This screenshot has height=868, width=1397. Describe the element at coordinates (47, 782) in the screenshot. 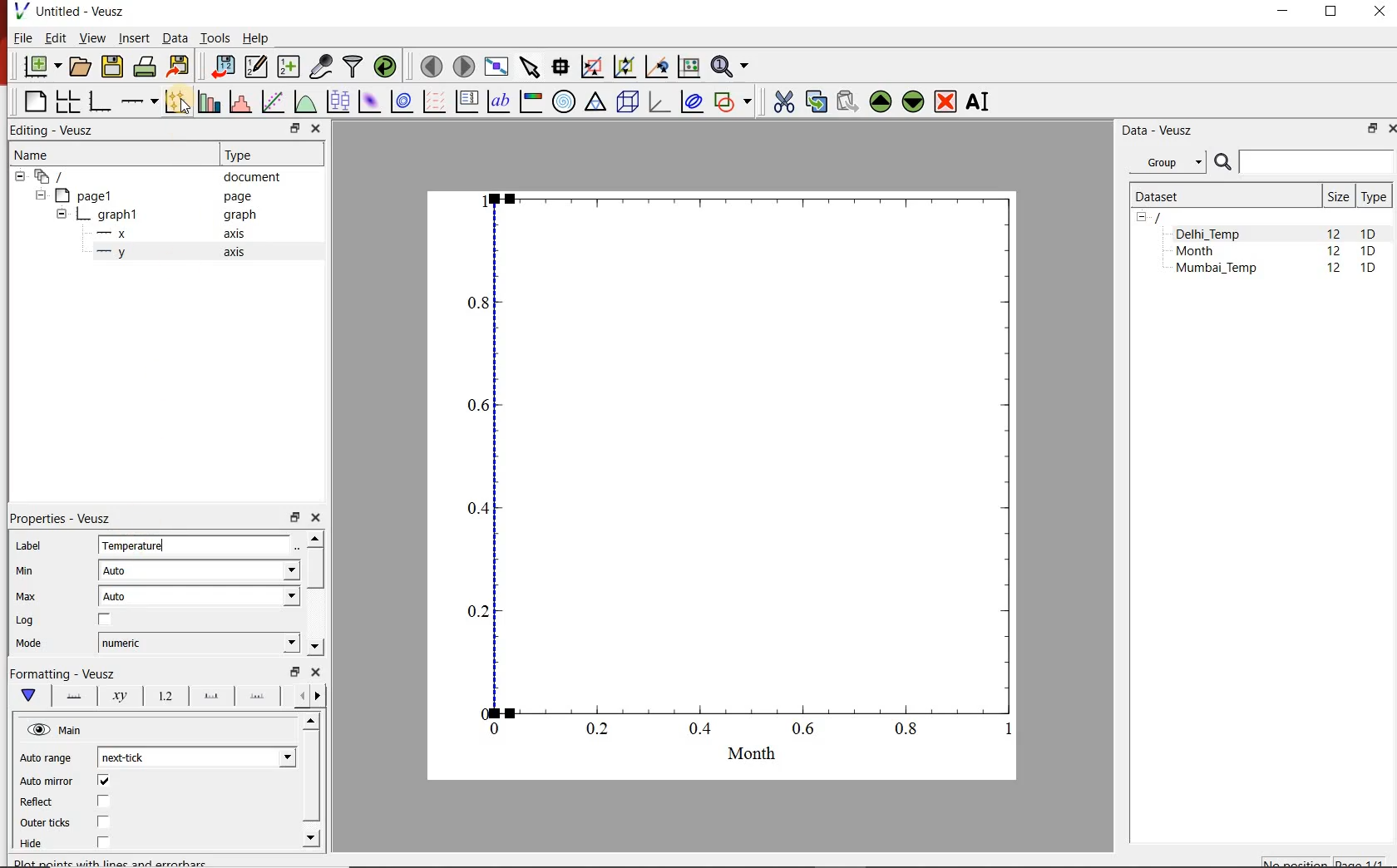

I see `Auto mirror` at that location.